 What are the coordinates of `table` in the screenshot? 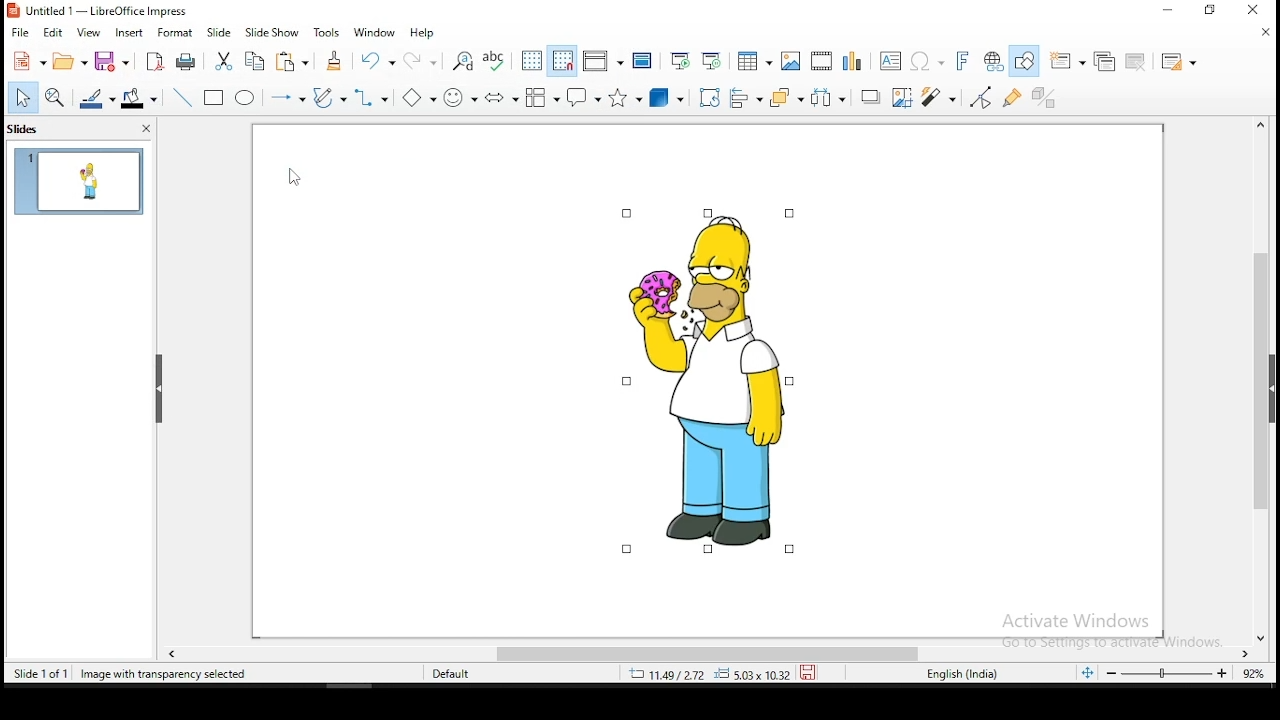 It's located at (754, 59).